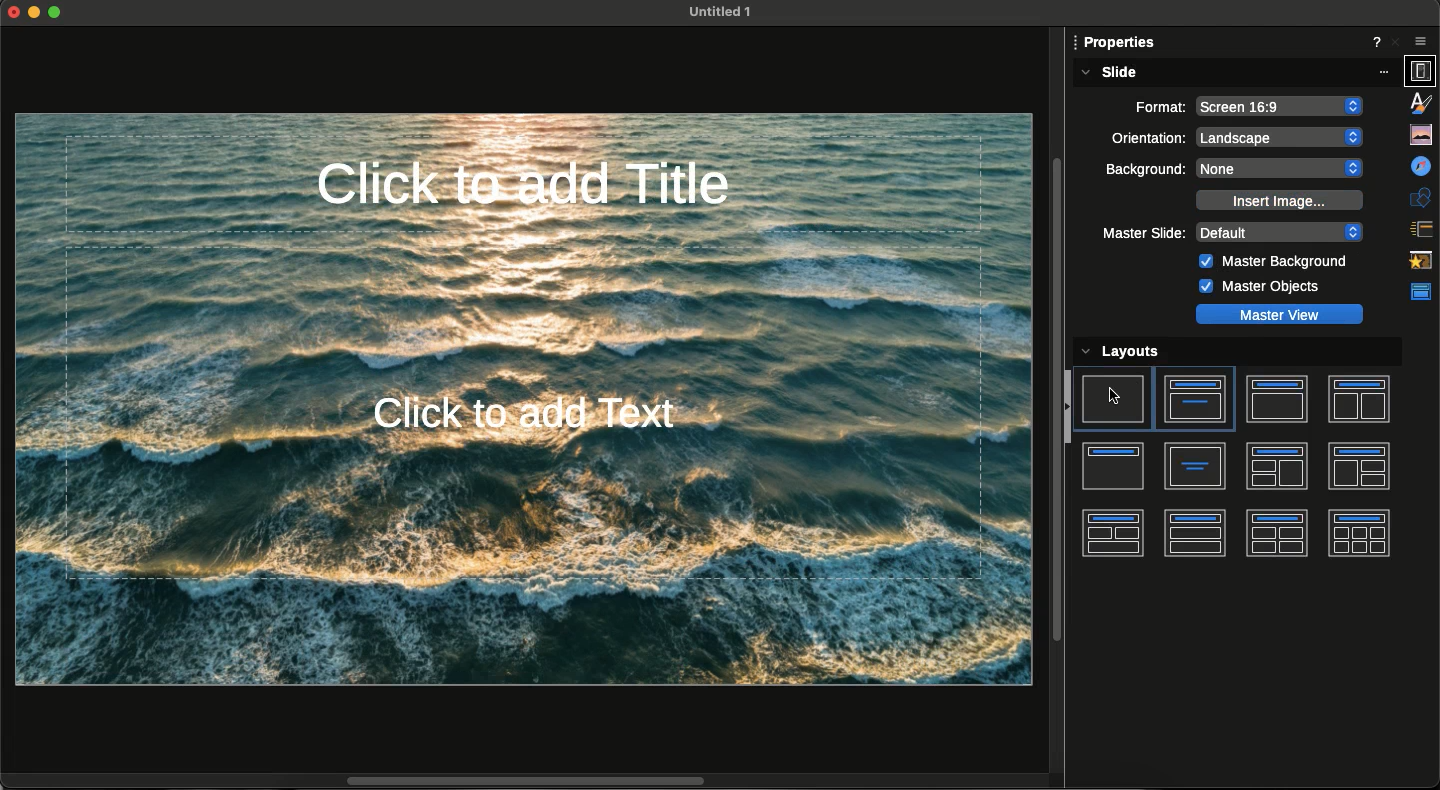 The image size is (1440, 790). Describe the element at coordinates (1258, 287) in the screenshot. I see `Master objects` at that location.